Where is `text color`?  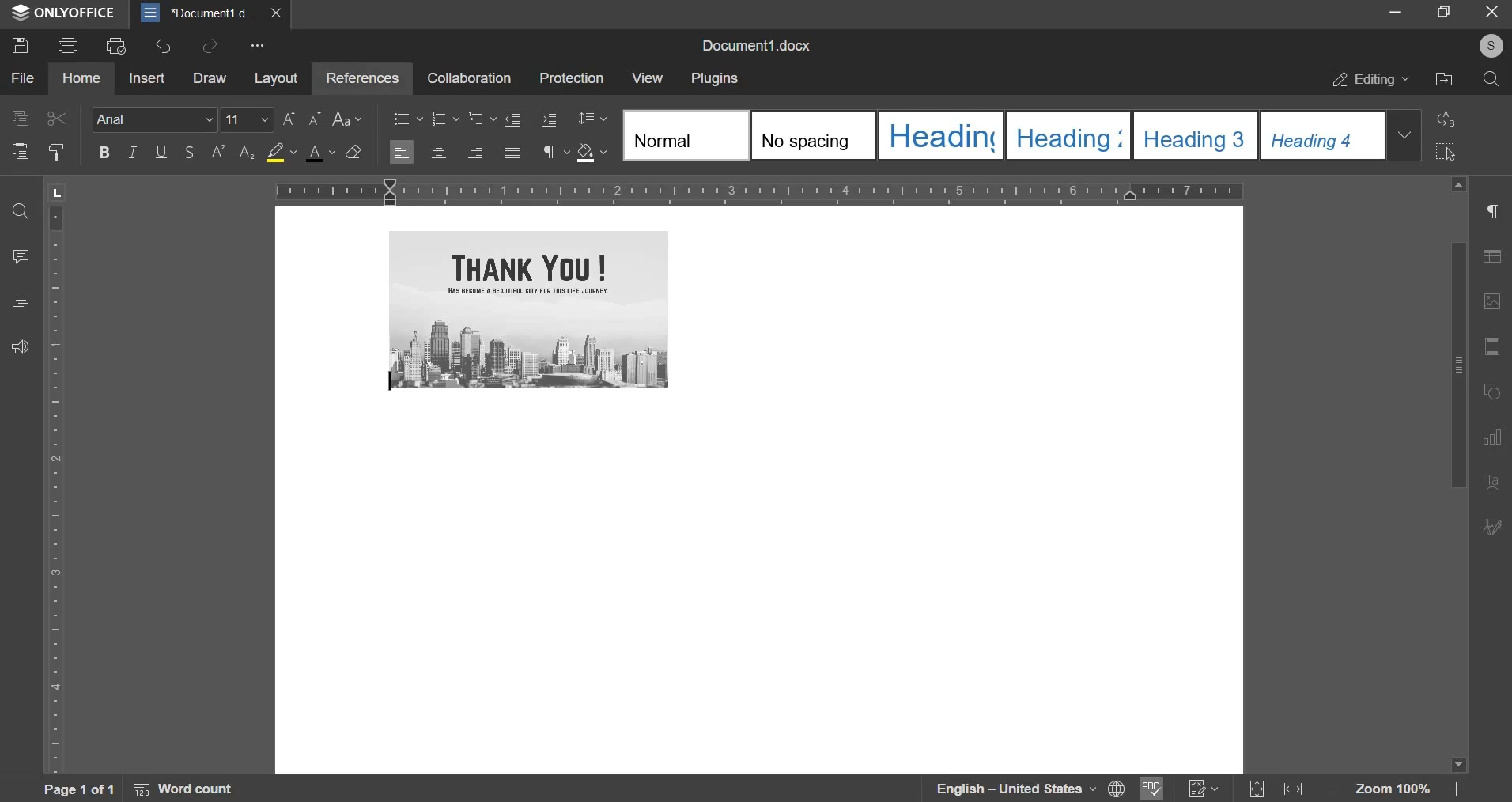 text color is located at coordinates (323, 153).